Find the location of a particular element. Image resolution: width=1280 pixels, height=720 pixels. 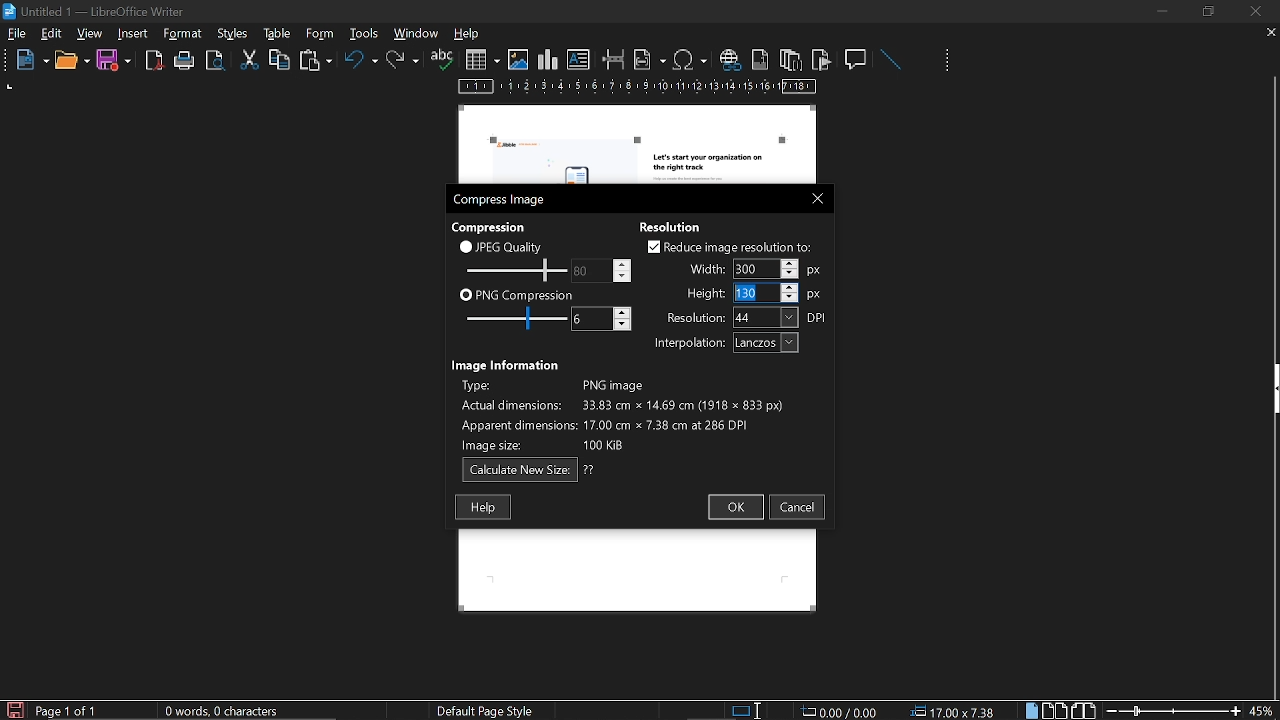

position is located at coordinates (956, 711).